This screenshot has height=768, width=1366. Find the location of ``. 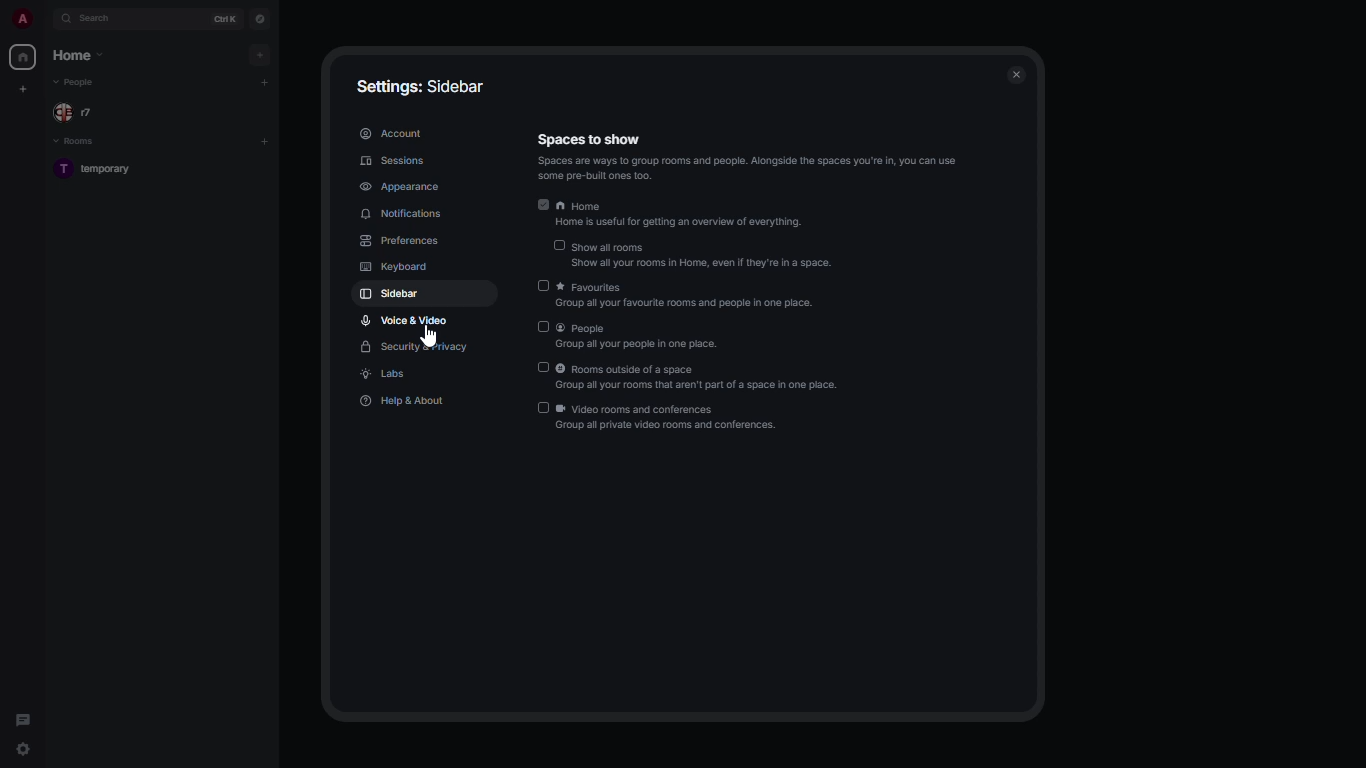

 is located at coordinates (540, 284).